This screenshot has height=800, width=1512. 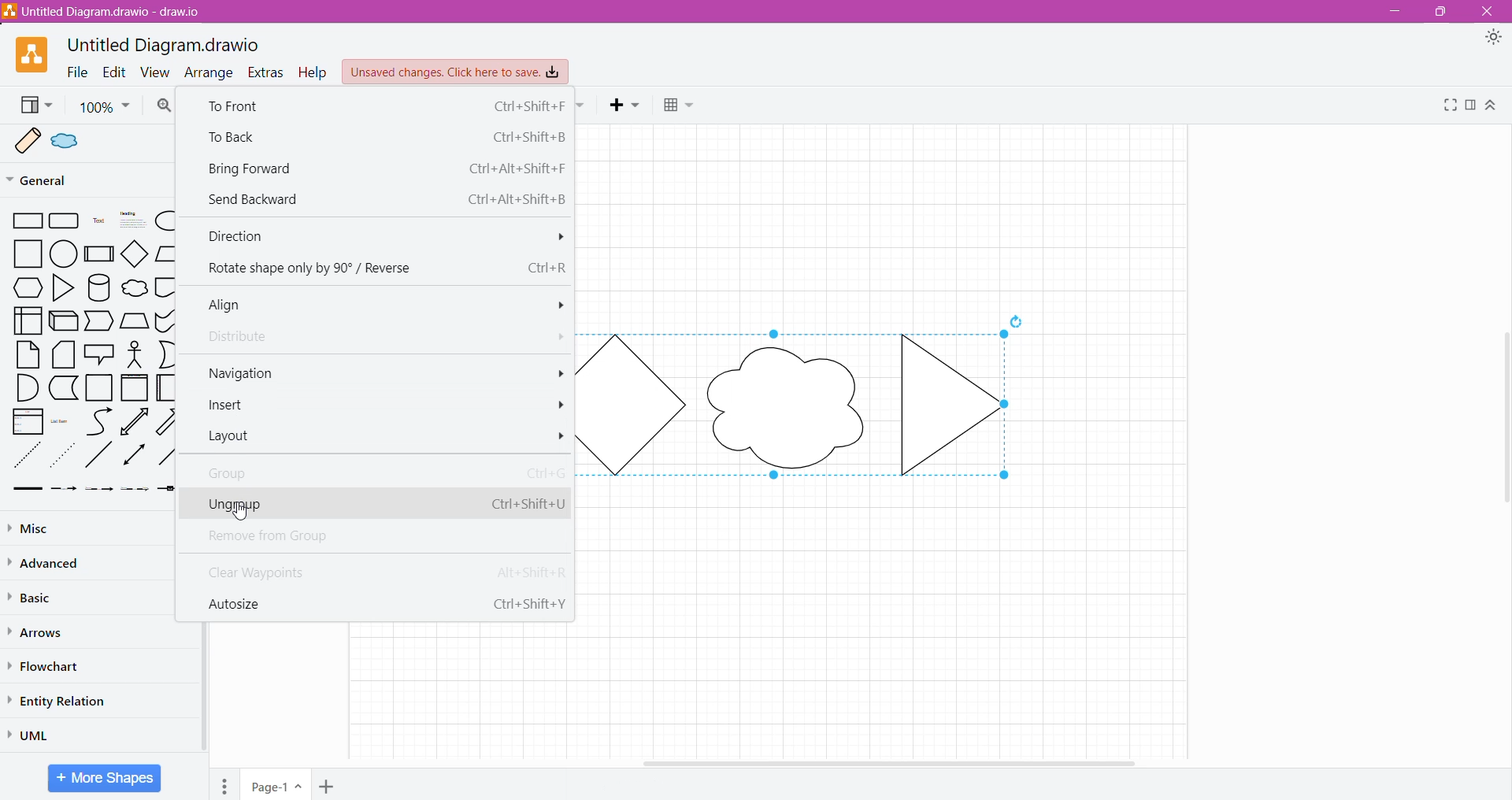 What do you see at coordinates (67, 701) in the screenshot?
I see `Entity Relation` at bounding box center [67, 701].